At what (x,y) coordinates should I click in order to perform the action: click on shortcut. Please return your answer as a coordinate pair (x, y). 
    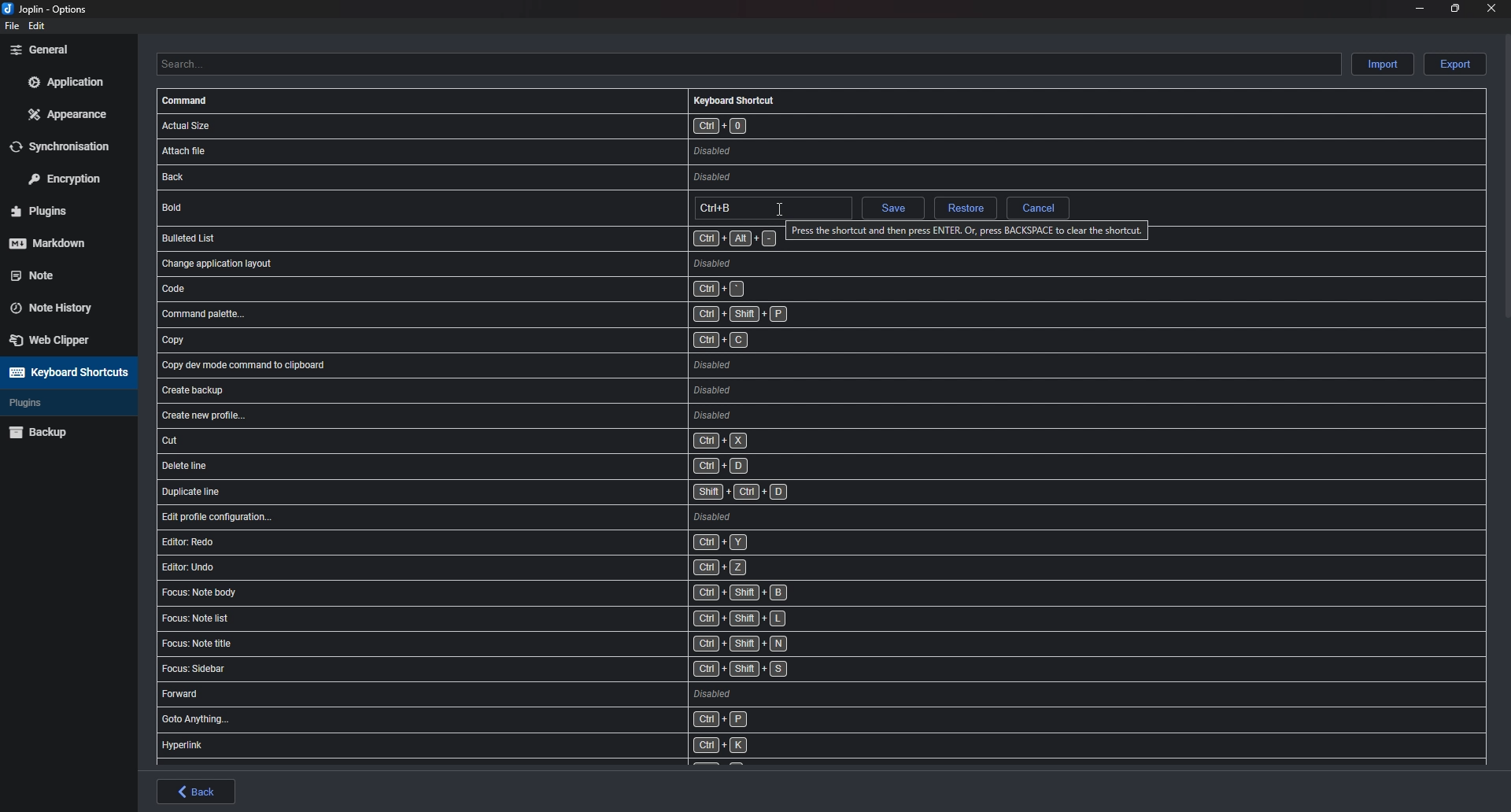
    Looking at the image, I should click on (529, 178).